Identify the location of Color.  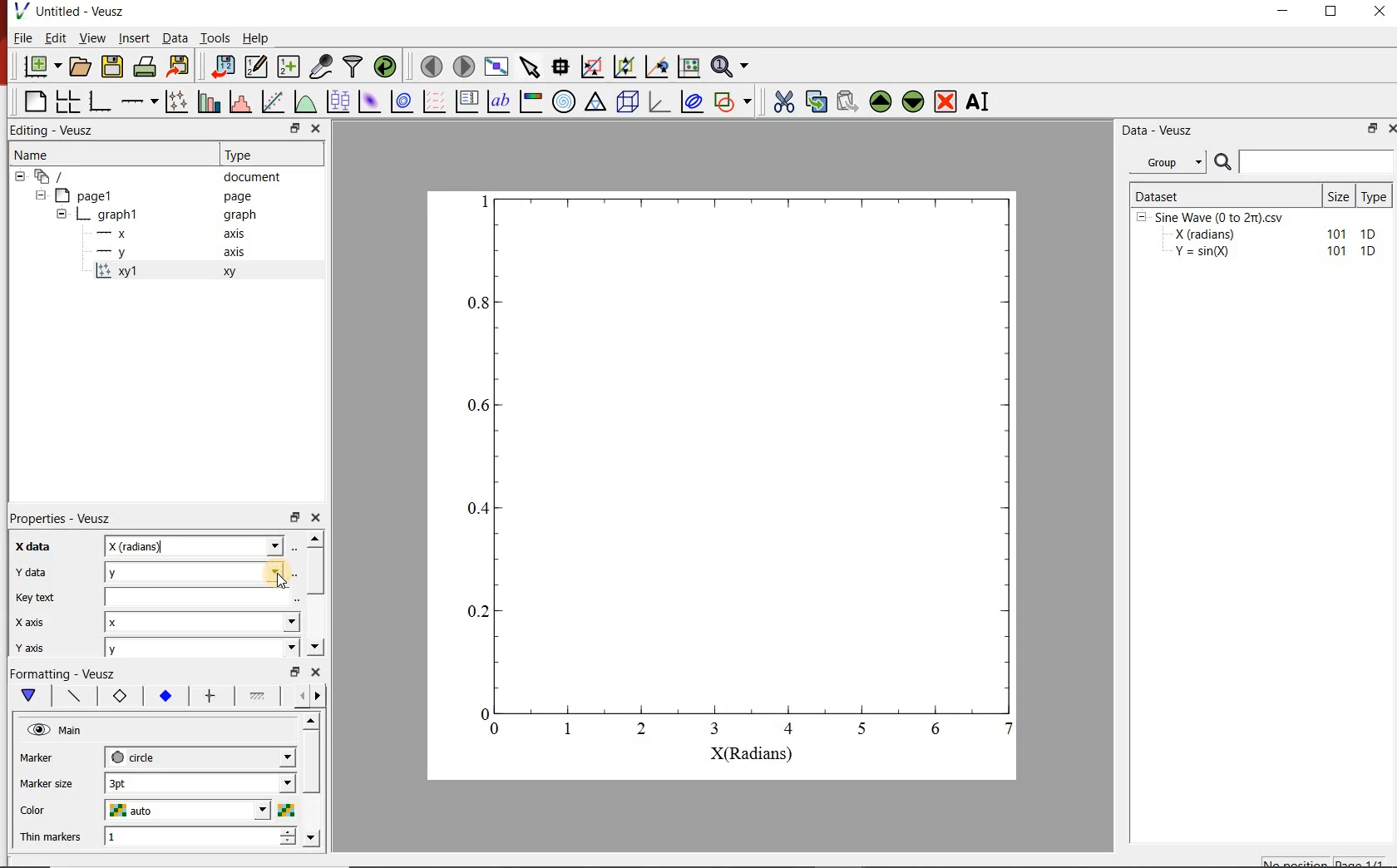
(38, 808).